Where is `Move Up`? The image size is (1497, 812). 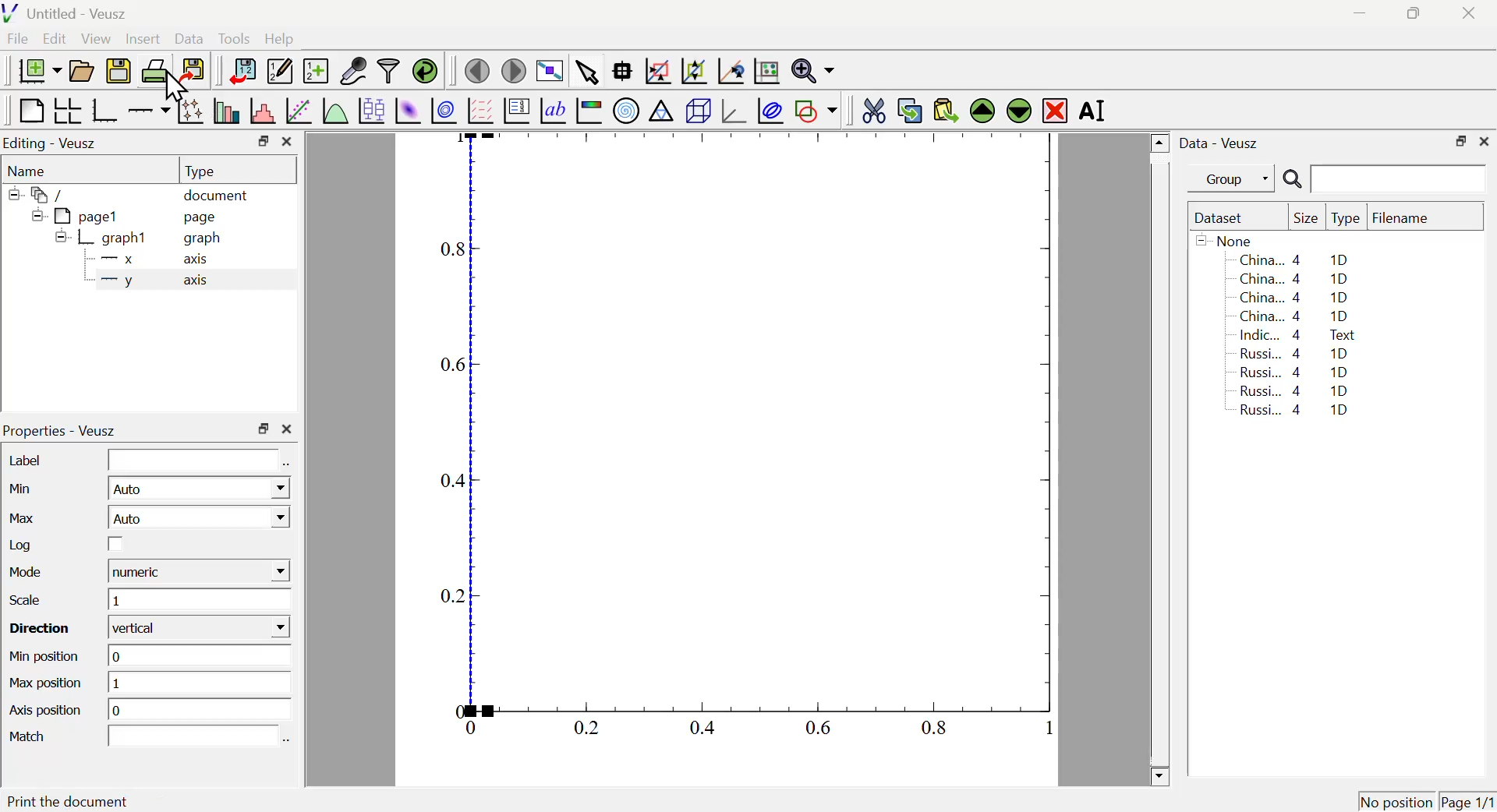
Move Up is located at coordinates (984, 111).